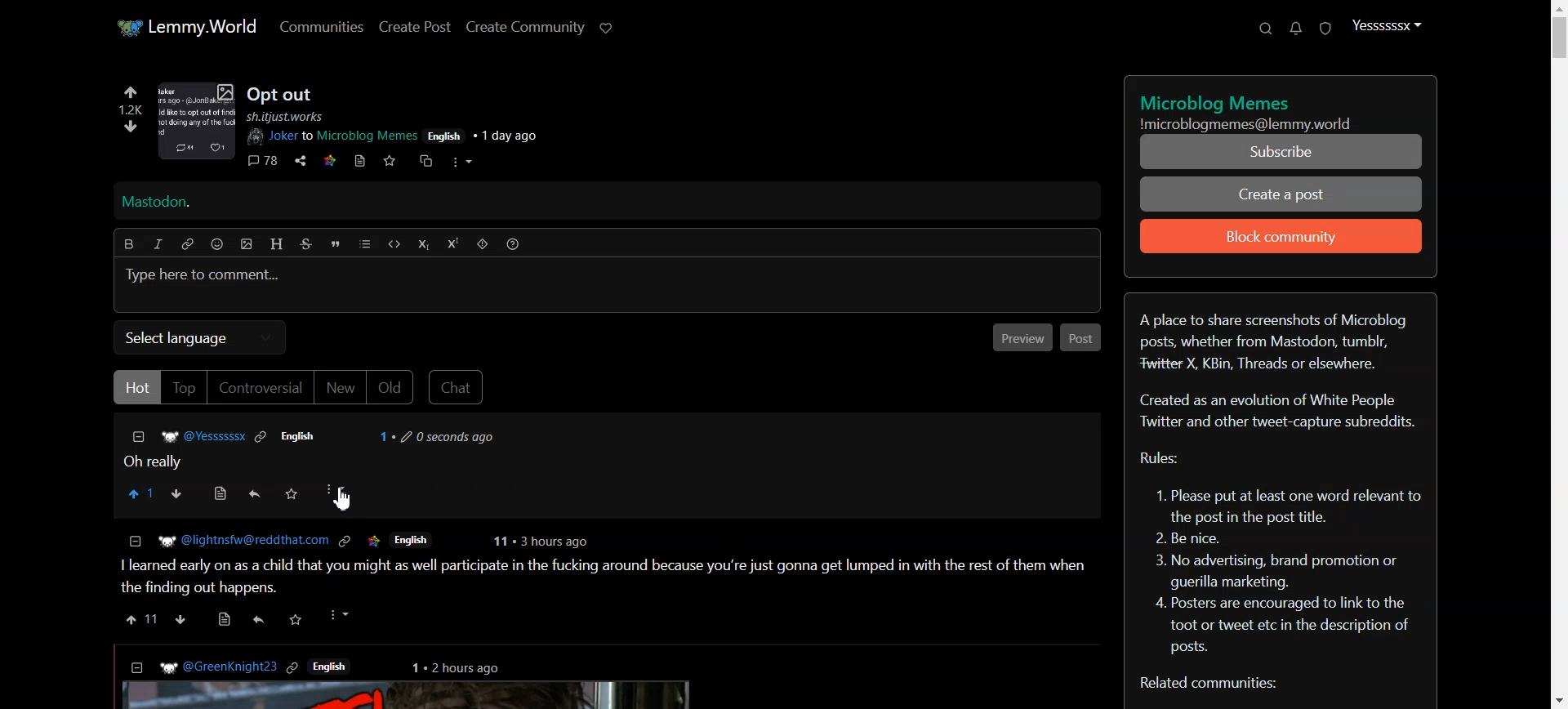 The image size is (1568, 709). Describe the element at coordinates (301, 161) in the screenshot. I see `share` at that location.